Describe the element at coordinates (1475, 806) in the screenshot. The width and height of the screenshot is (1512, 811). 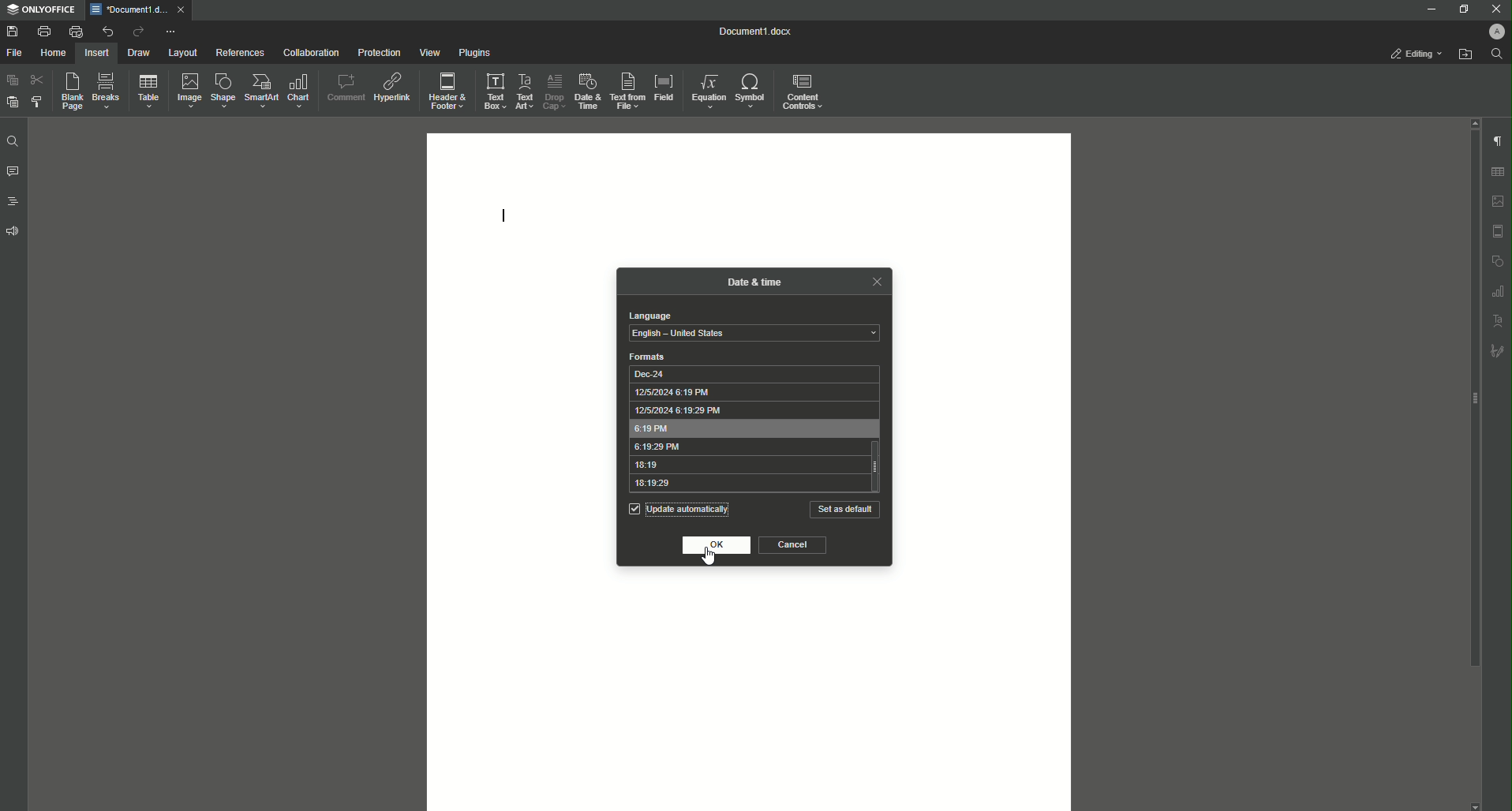
I see `scroll down` at that location.